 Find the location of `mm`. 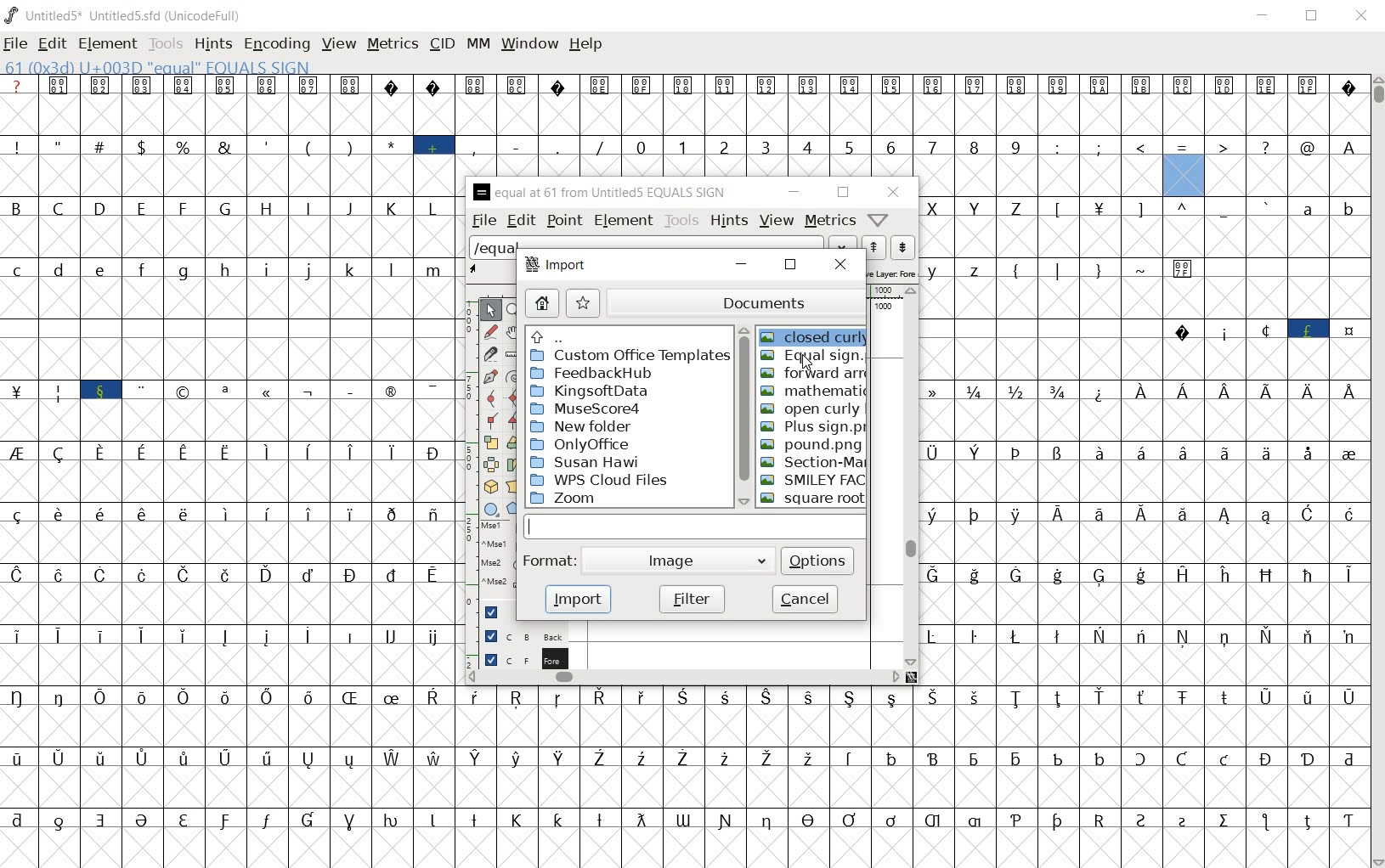

mm is located at coordinates (478, 45).